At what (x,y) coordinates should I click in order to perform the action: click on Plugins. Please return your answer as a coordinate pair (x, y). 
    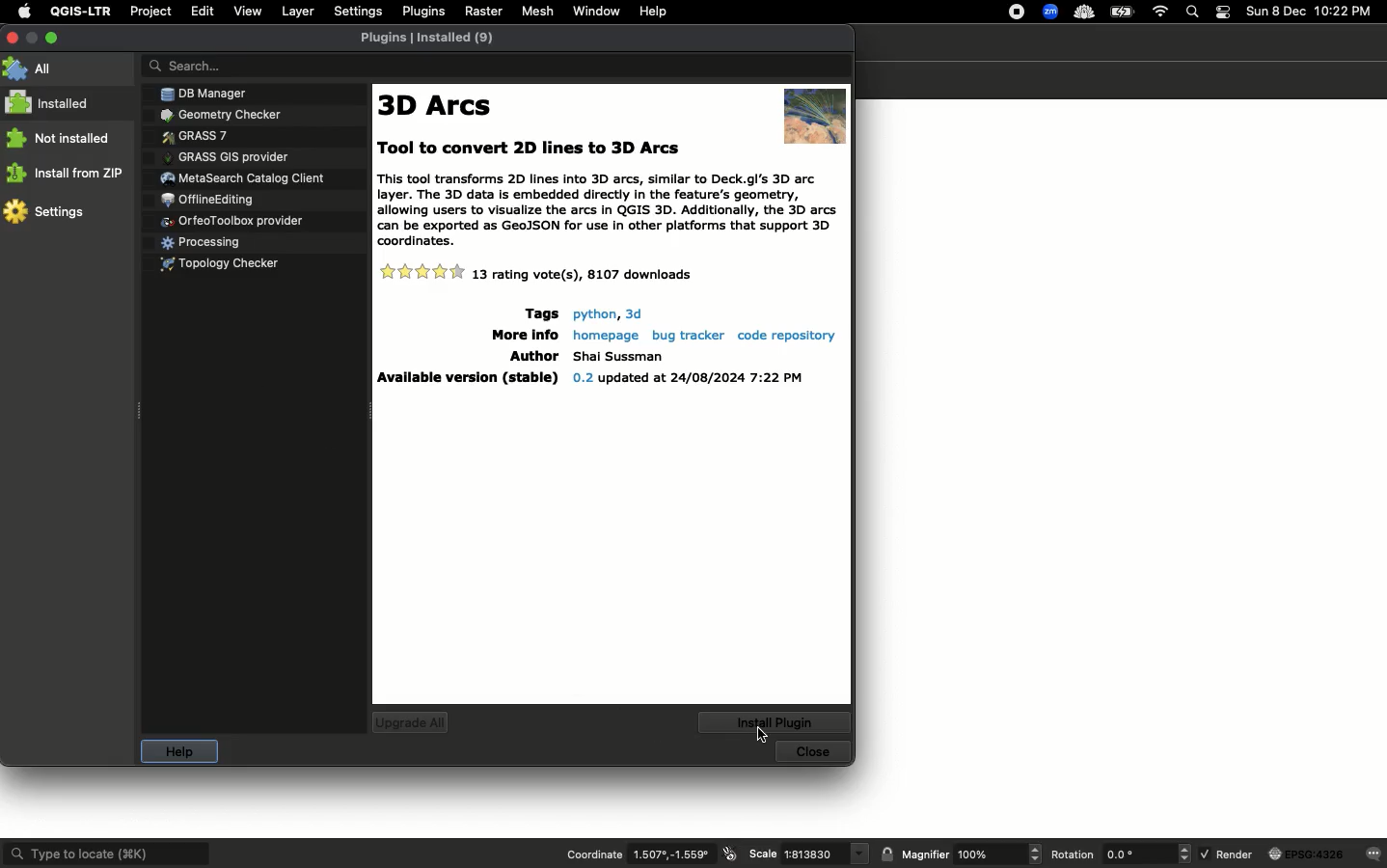
    Looking at the image, I should click on (186, 133).